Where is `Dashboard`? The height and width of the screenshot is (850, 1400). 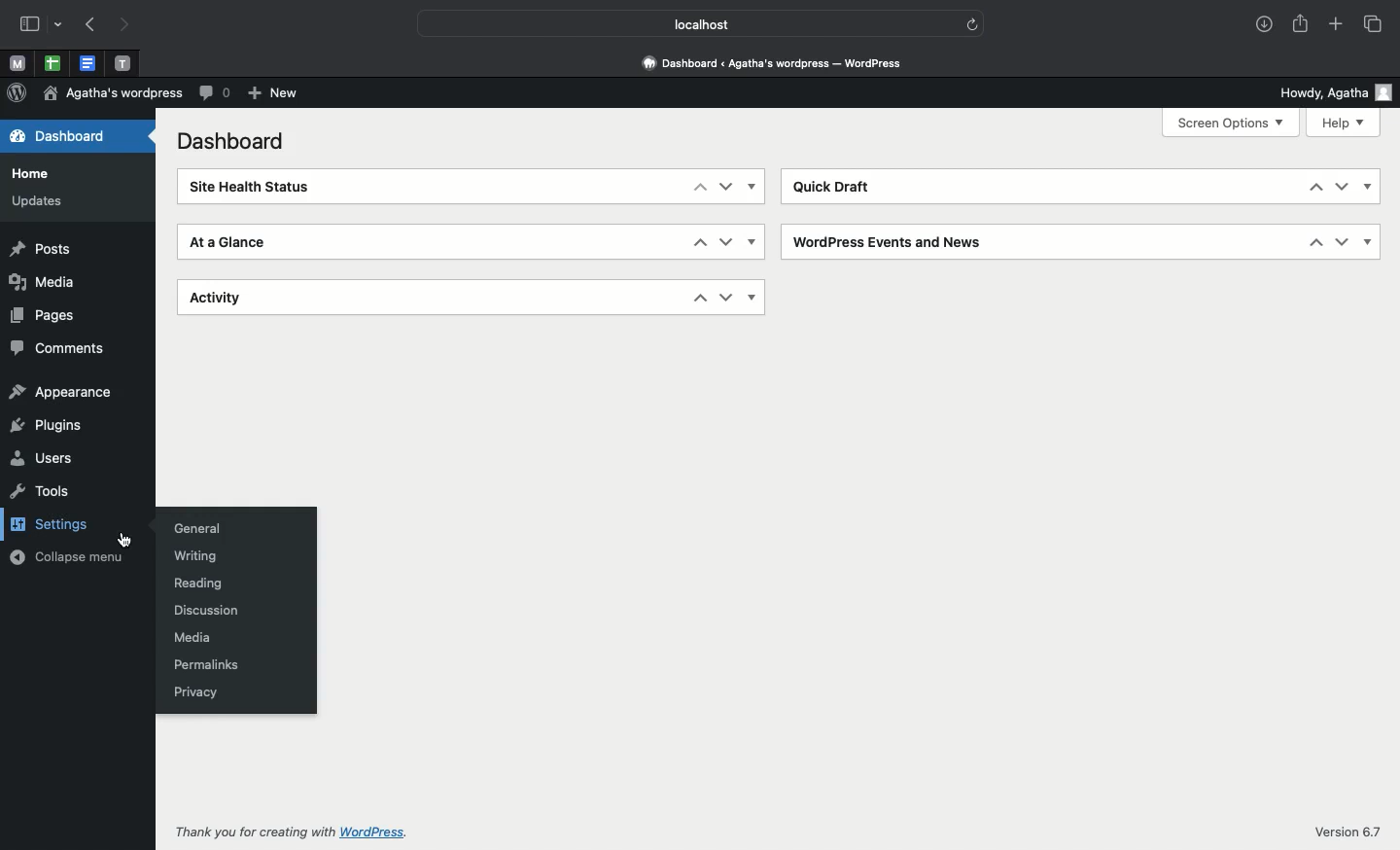 Dashboard is located at coordinates (64, 137).